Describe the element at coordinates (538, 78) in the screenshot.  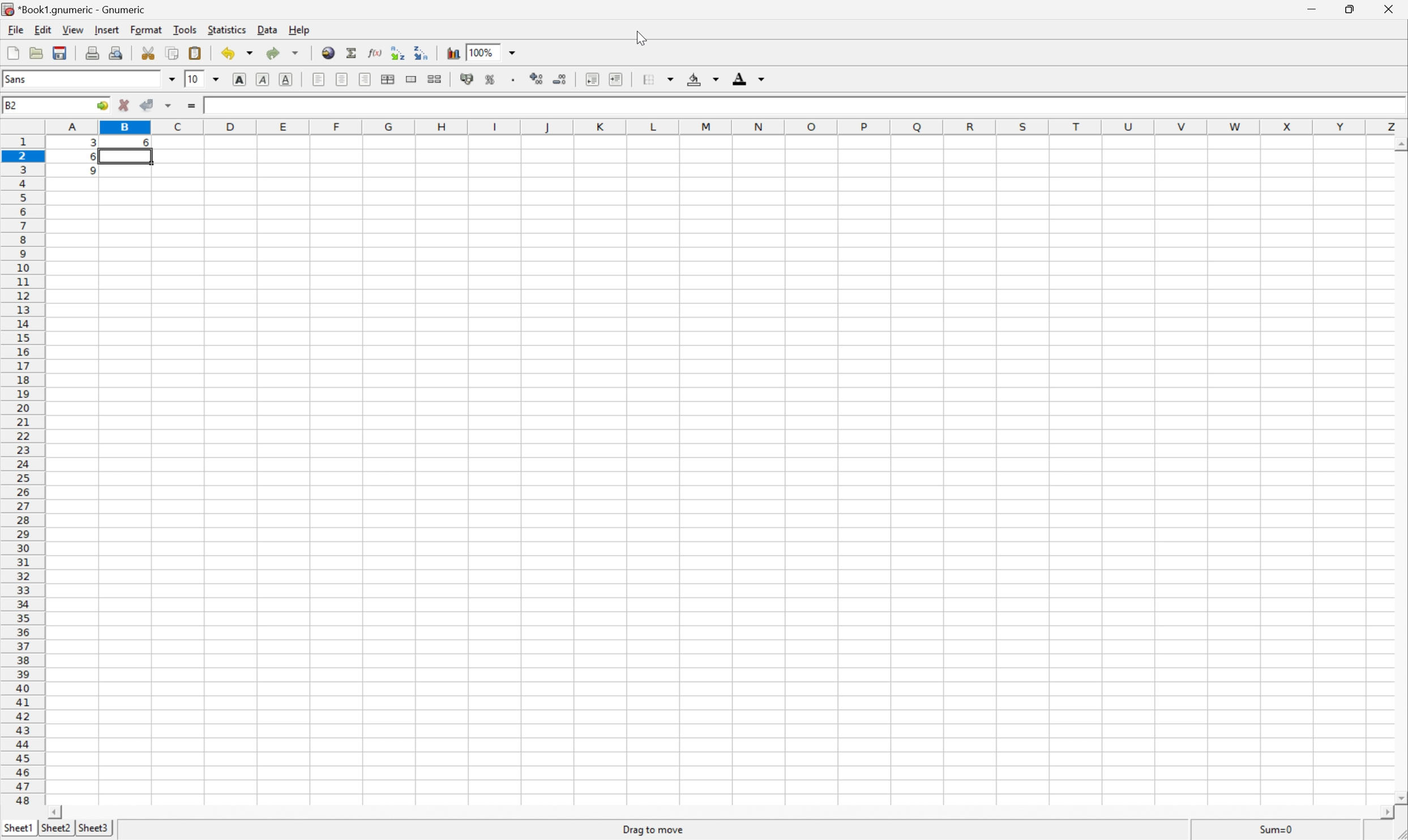
I see `Increase the number of decimals displayed` at that location.